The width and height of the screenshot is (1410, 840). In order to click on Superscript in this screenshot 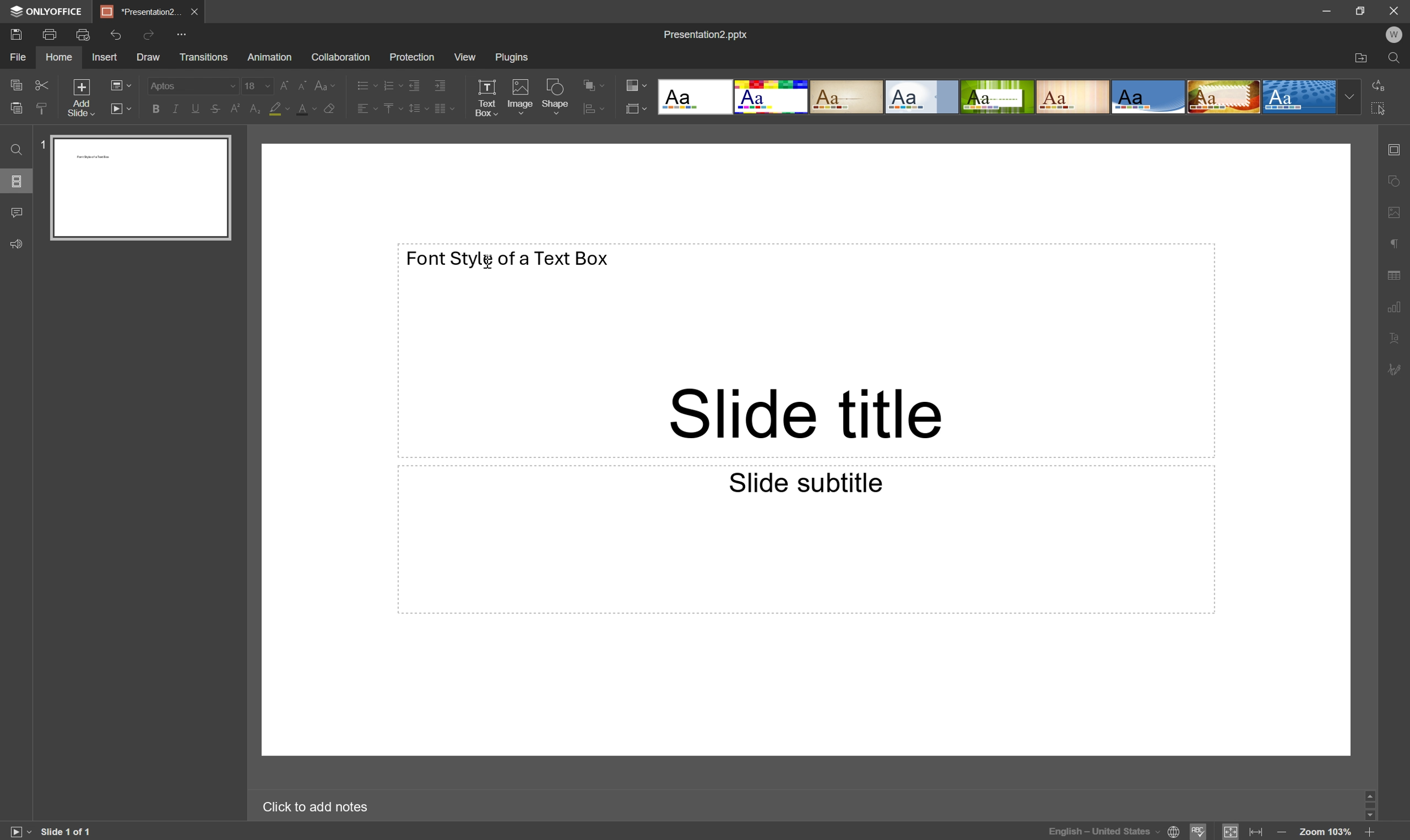, I will do `click(236, 109)`.